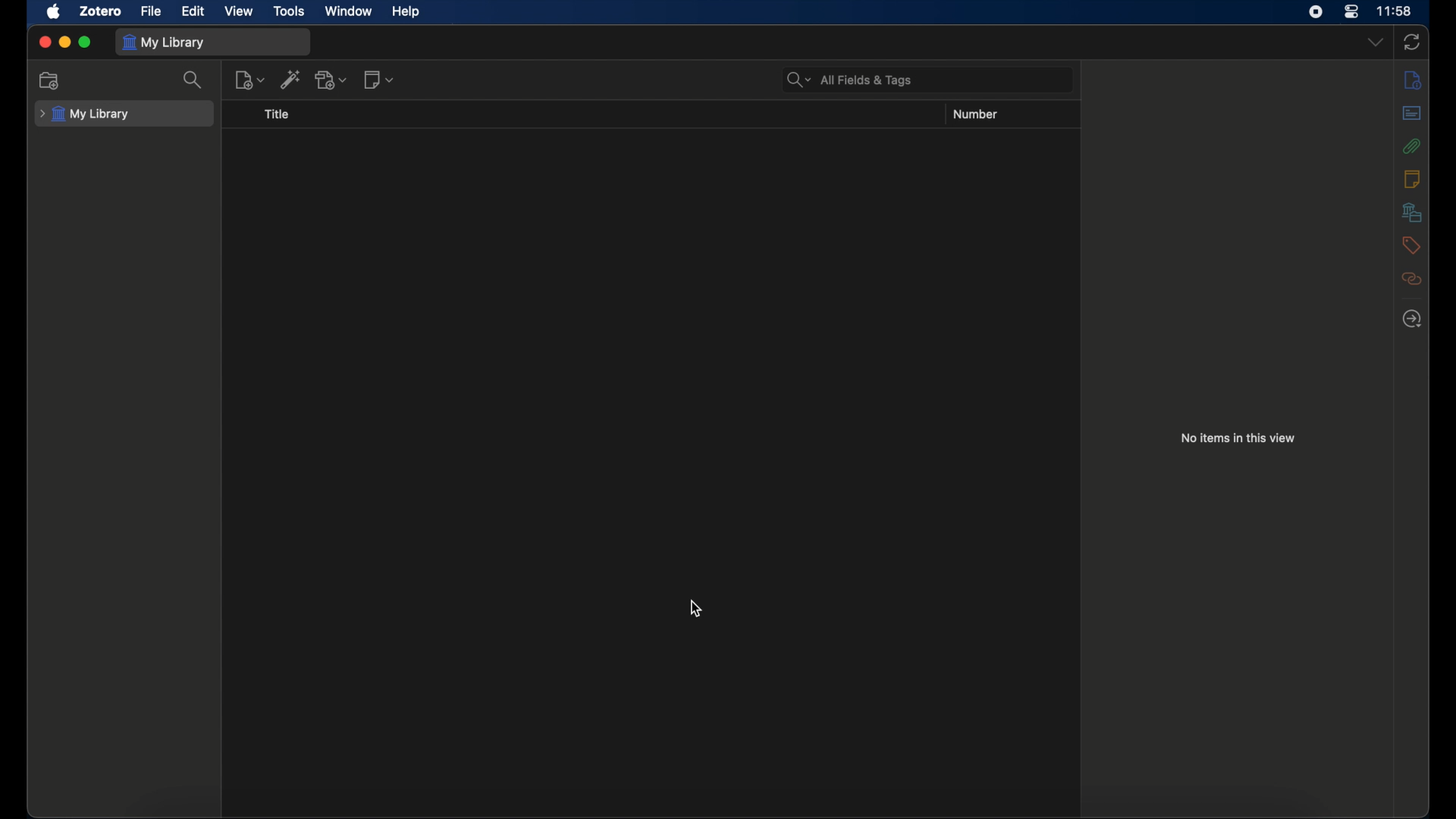 This screenshot has height=819, width=1456. Describe the element at coordinates (1411, 244) in the screenshot. I see `tags` at that location.